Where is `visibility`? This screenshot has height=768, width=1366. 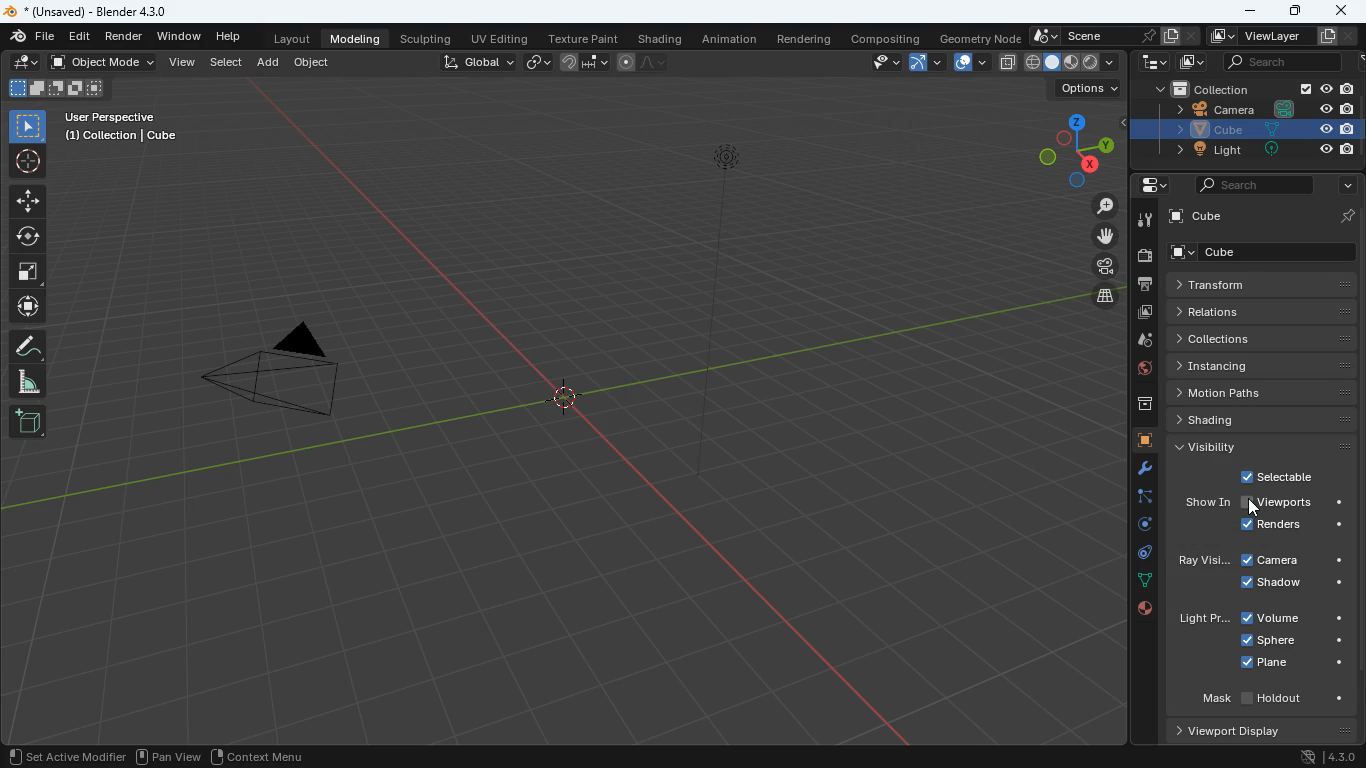 visibility is located at coordinates (1264, 446).